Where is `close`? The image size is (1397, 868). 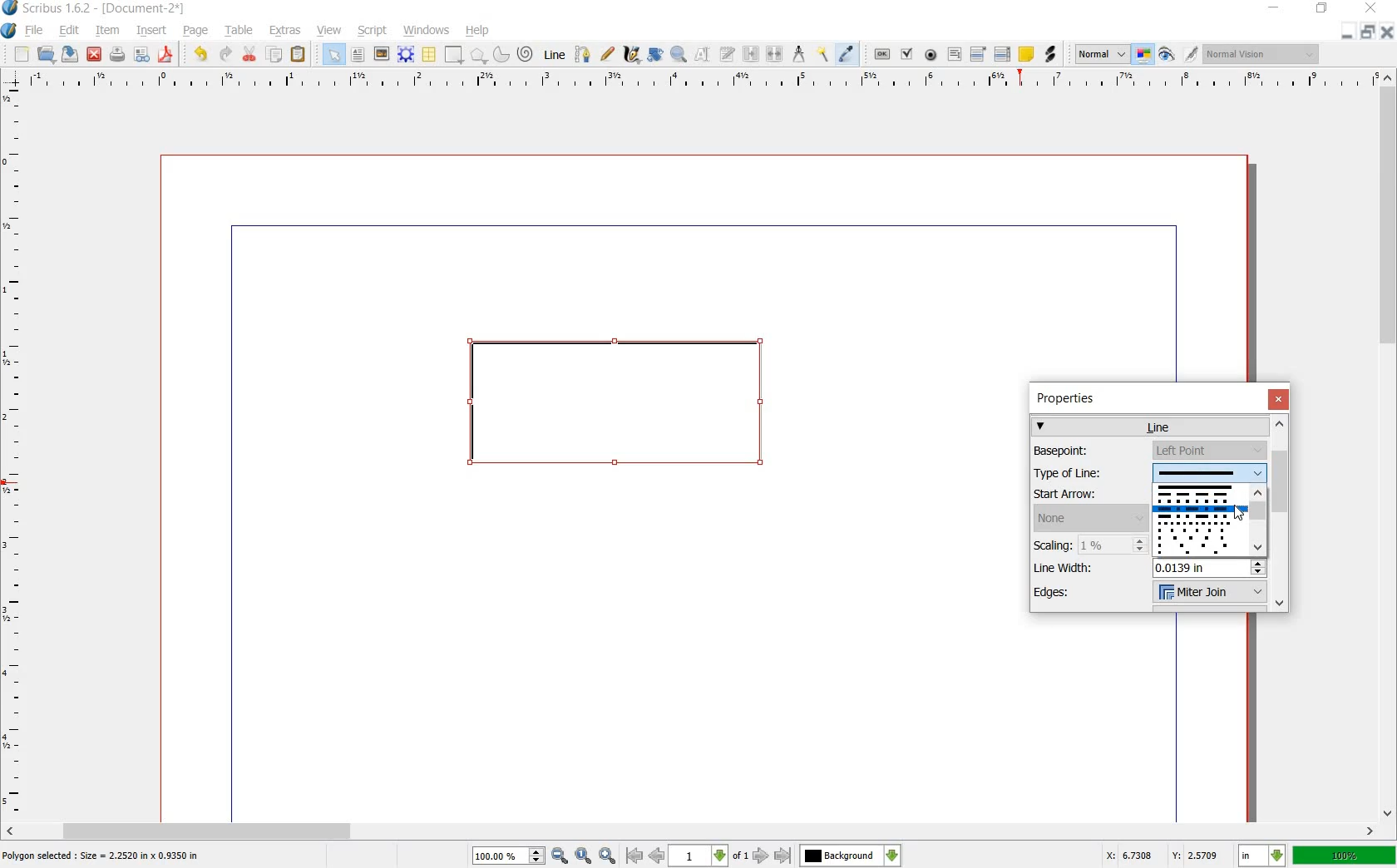
close is located at coordinates (1278, 398).